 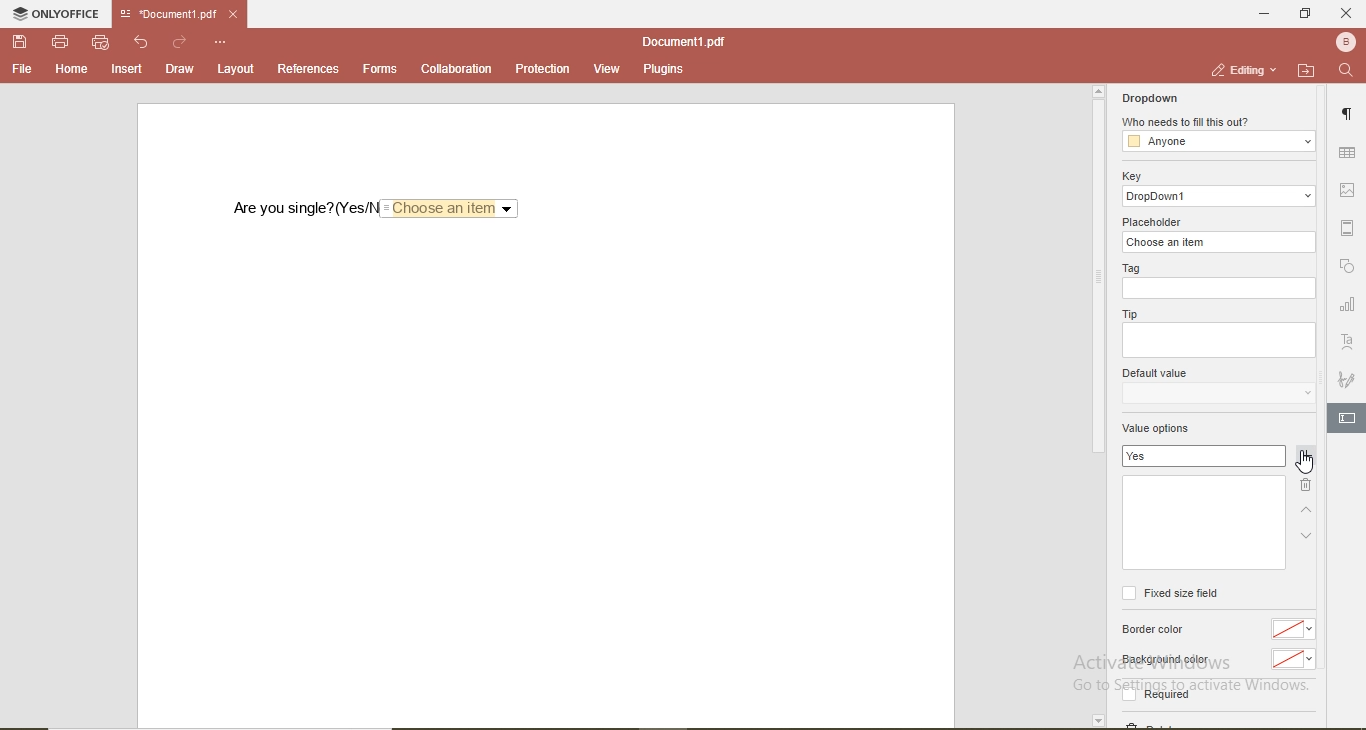 I want to click on view, so click(x=607, y=69).